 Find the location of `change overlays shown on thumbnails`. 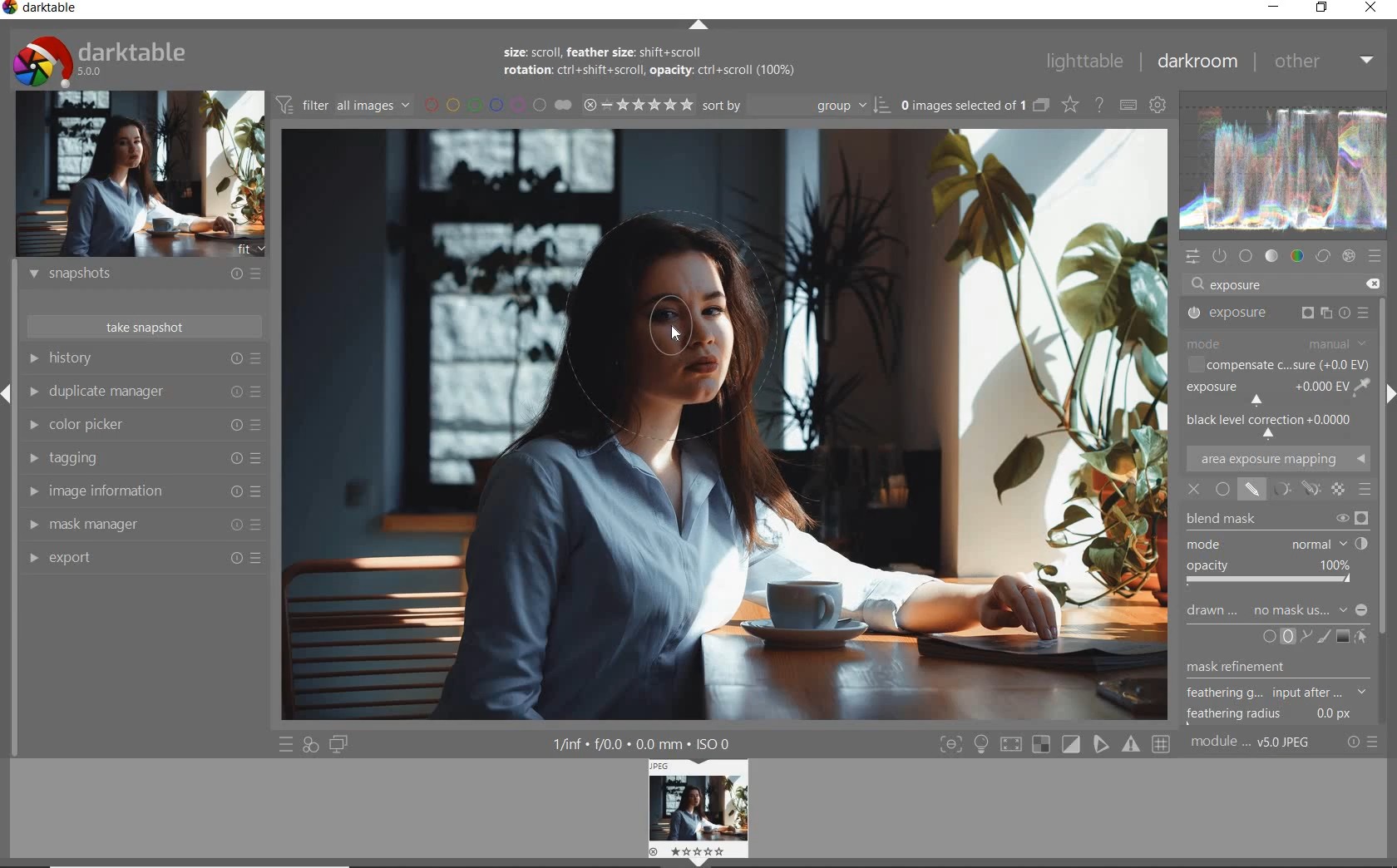

change overlays shown on thumbnails is located at coordinates (1069, 104).